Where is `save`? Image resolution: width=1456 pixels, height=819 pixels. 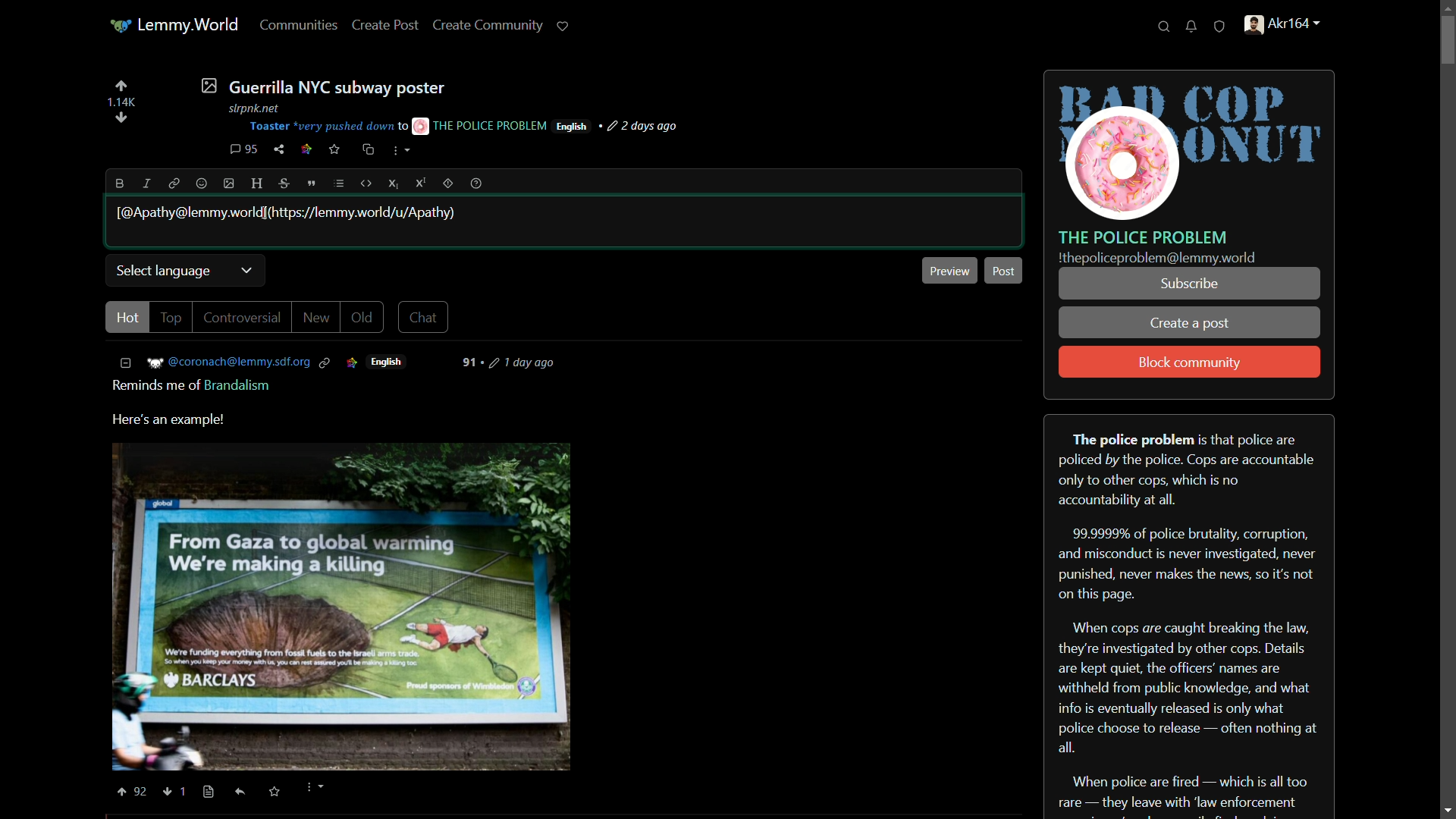 save is located at coordinates (335, 149).